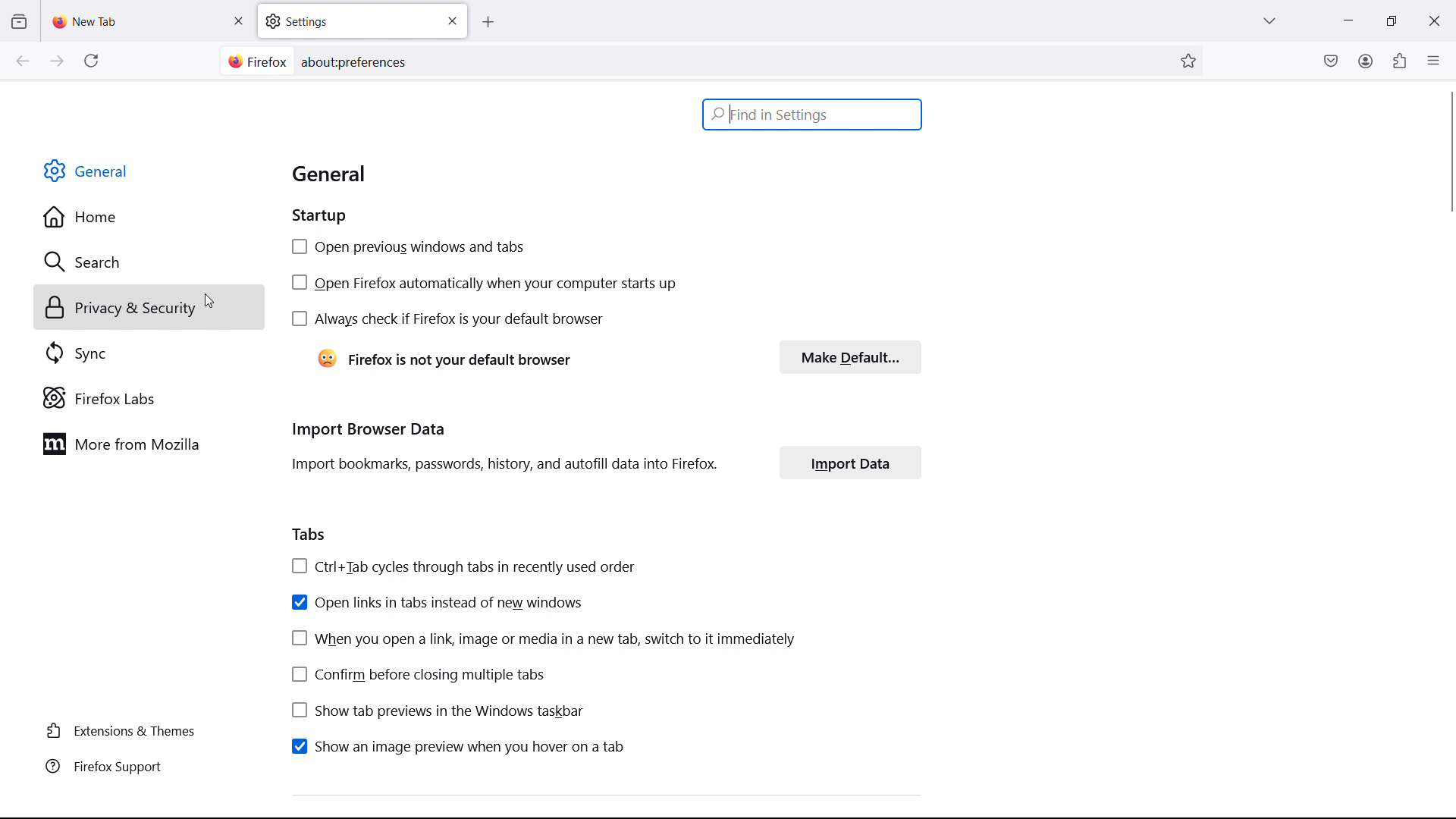 The height and width of the screenshot is (819, 1456). I want to click on close, so click(1433, 18).